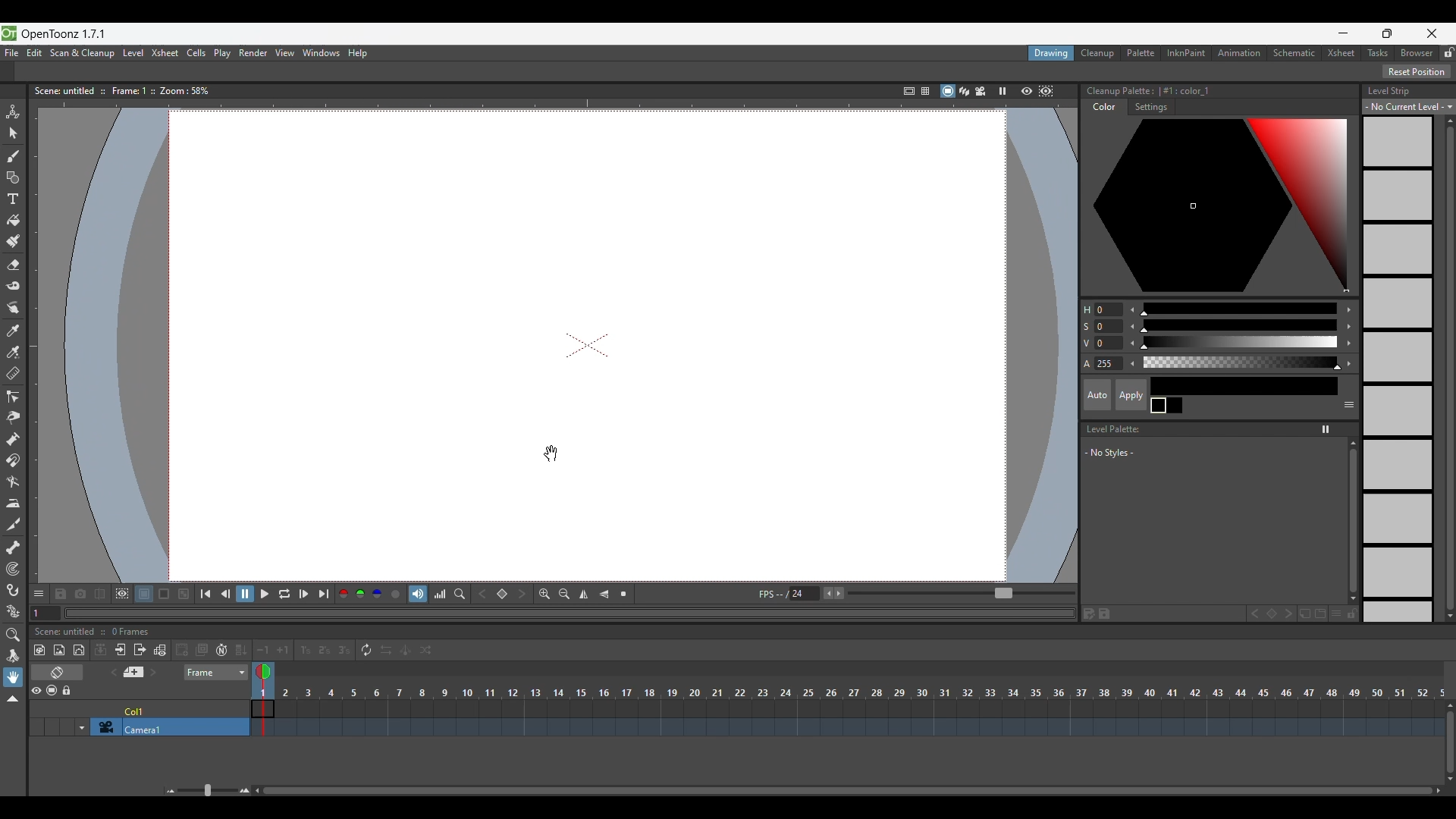 The image size is (1456, 819). What do you see at coordinates (358, 54) in the screenshot?
I see `Help` at bounding box center [358, 54].